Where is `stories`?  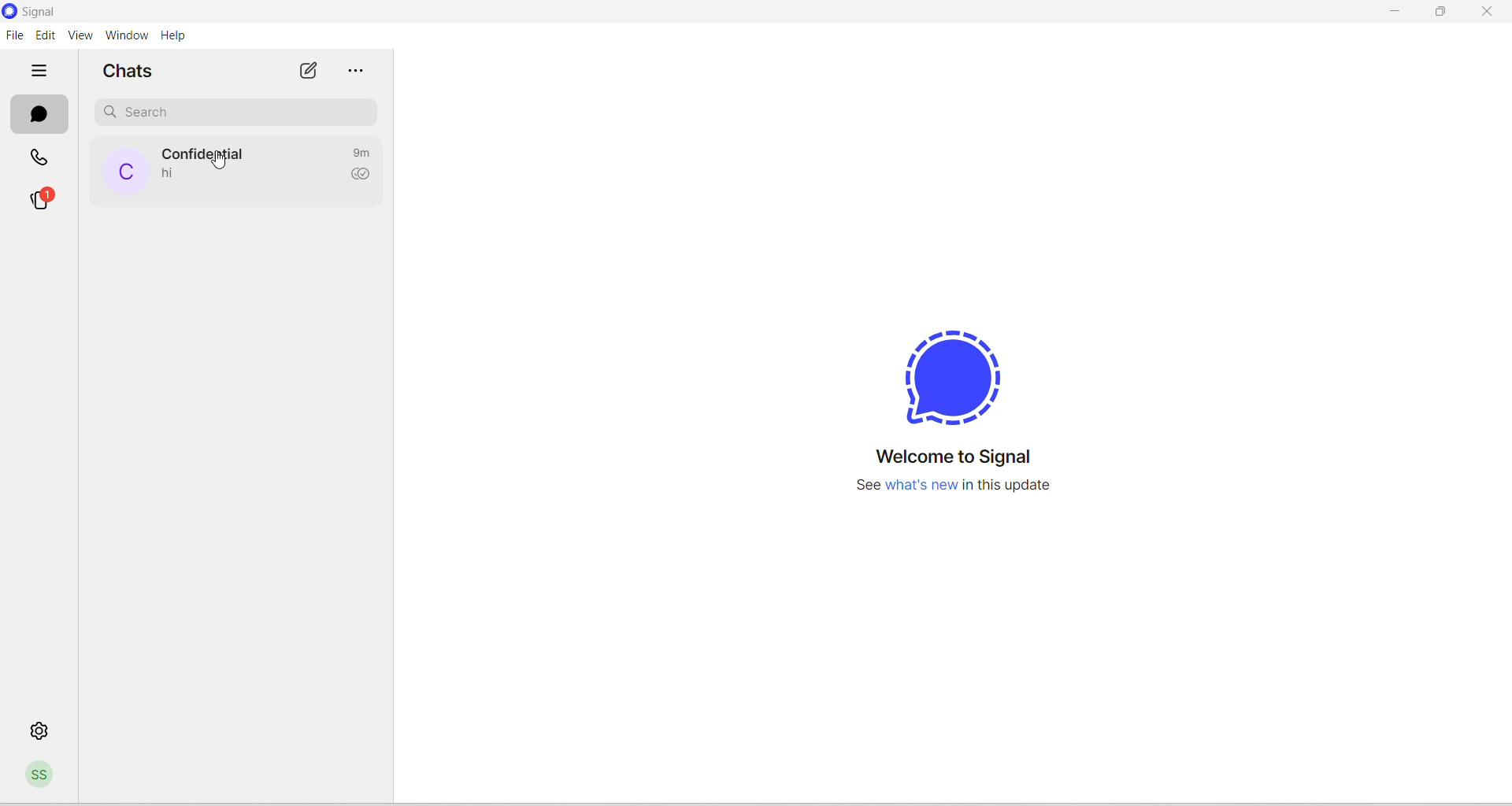 stories is located at coordinates (50, 199).